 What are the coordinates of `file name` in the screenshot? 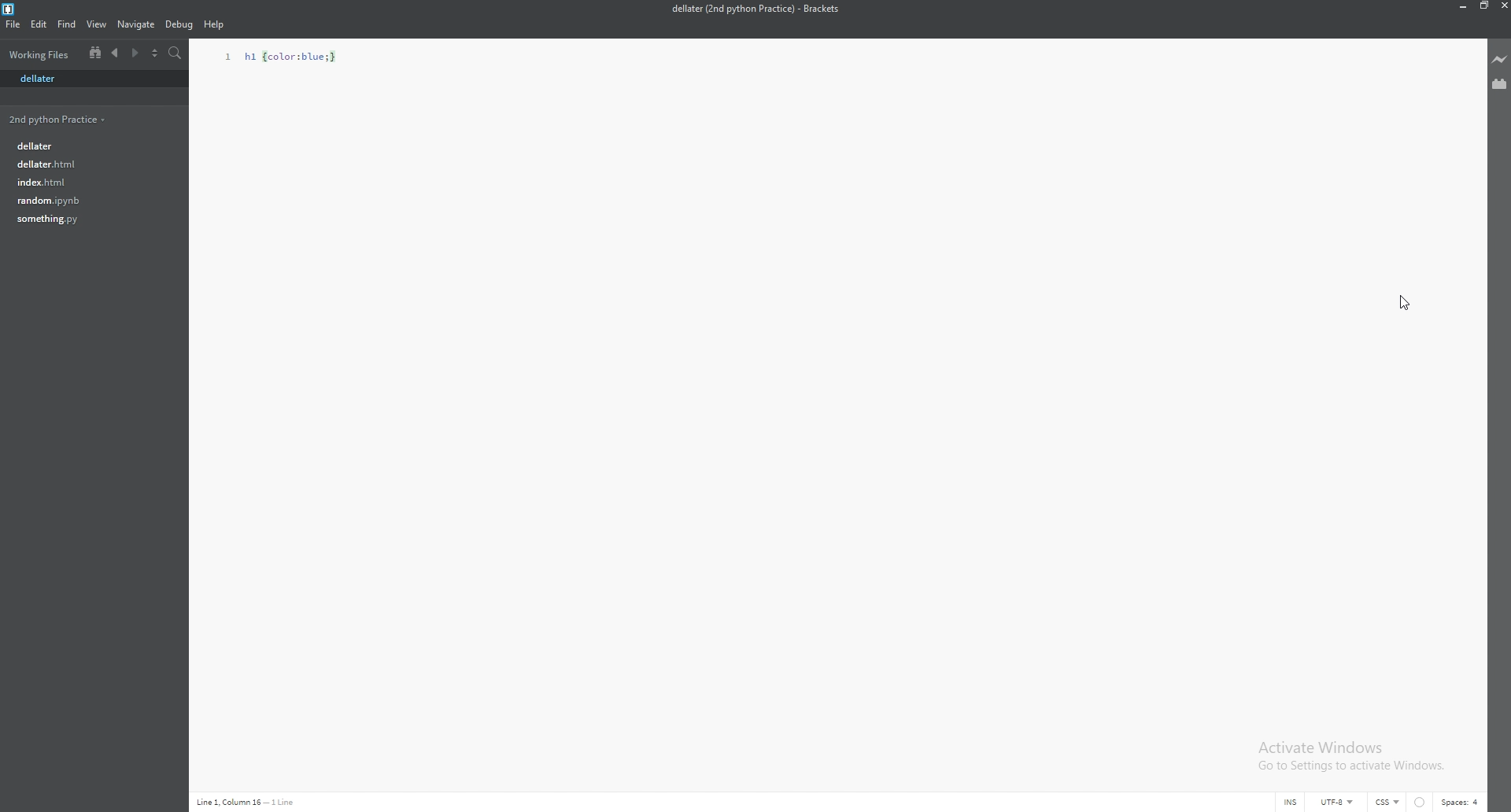 It's located at (755, 9).